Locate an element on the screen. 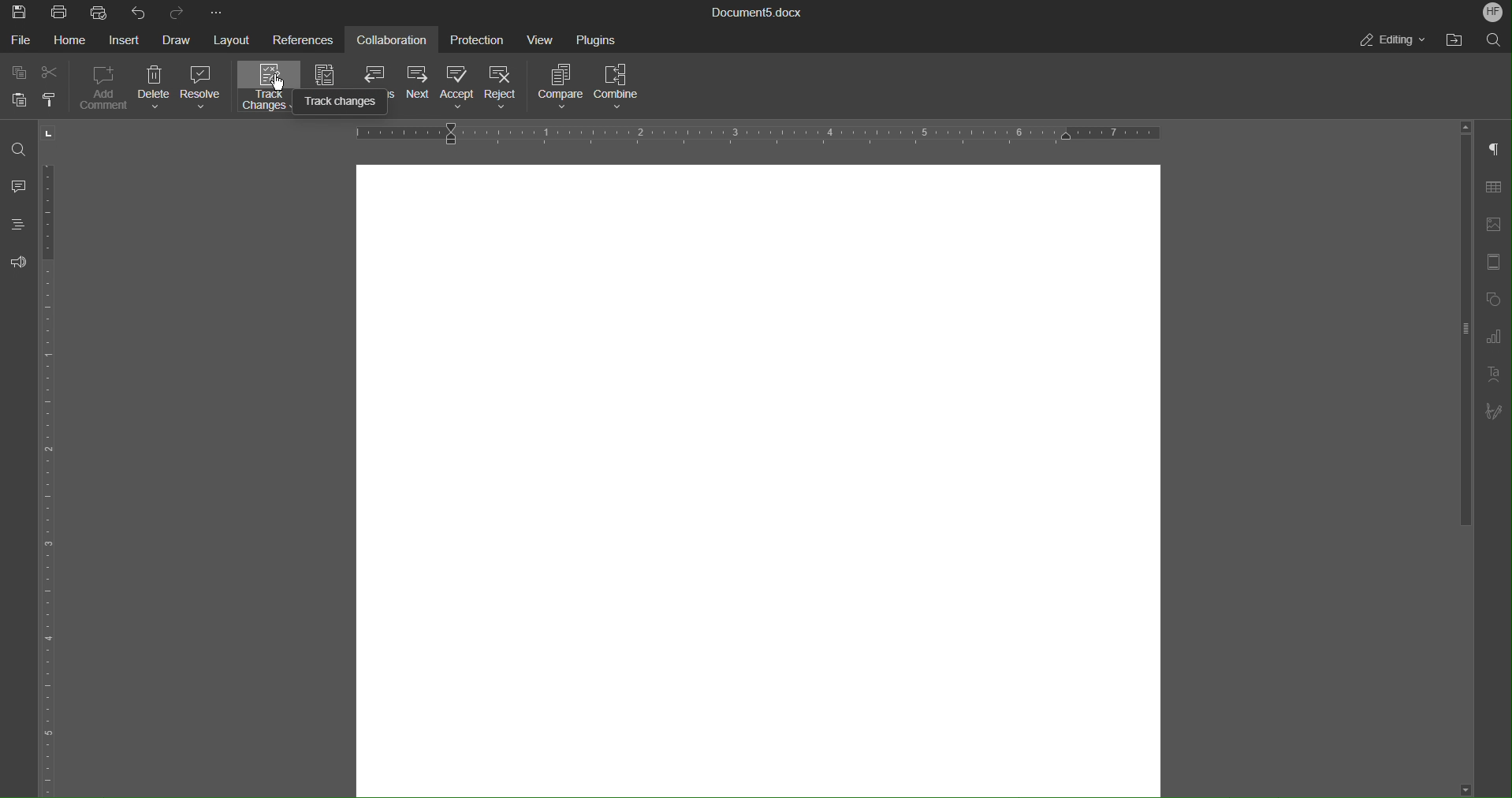 The image size is (1512, 798). Draw is located at coordinates (181, 38).